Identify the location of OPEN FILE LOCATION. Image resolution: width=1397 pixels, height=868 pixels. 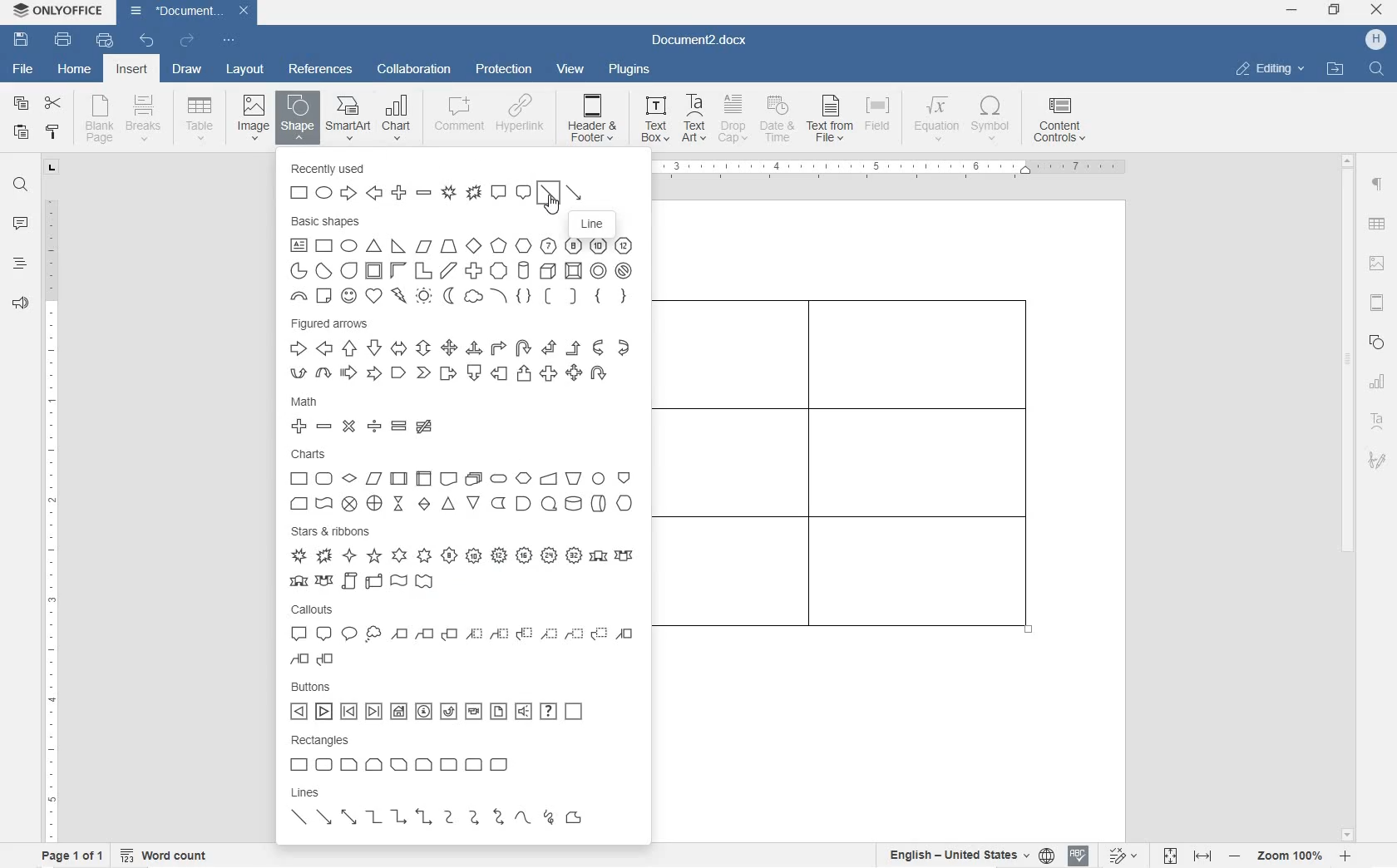
(1337, 70).